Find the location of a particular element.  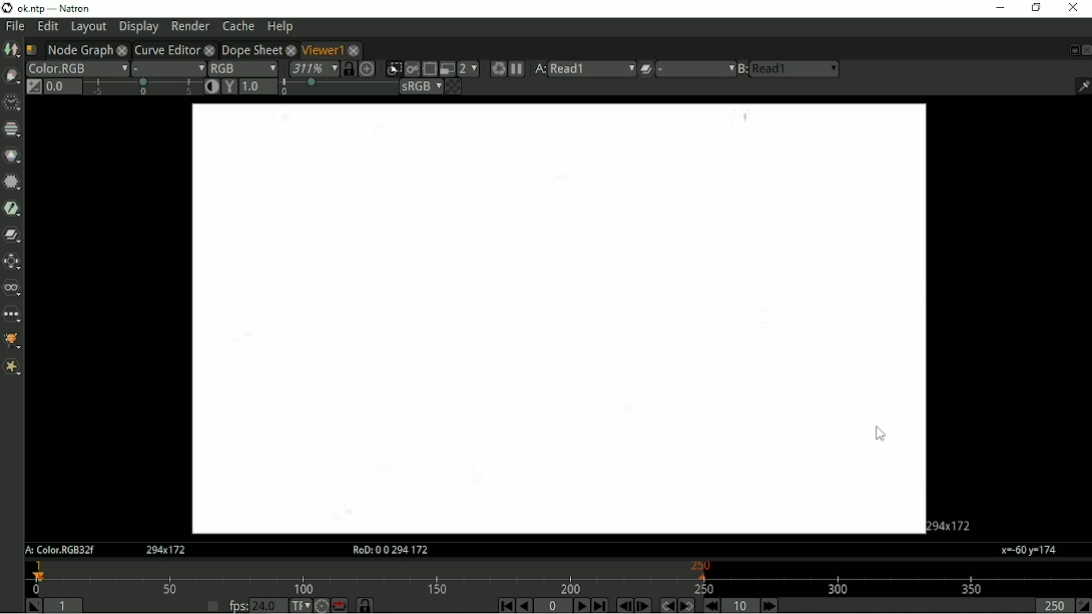

Checkerboard is located at coordinates (454, 88).